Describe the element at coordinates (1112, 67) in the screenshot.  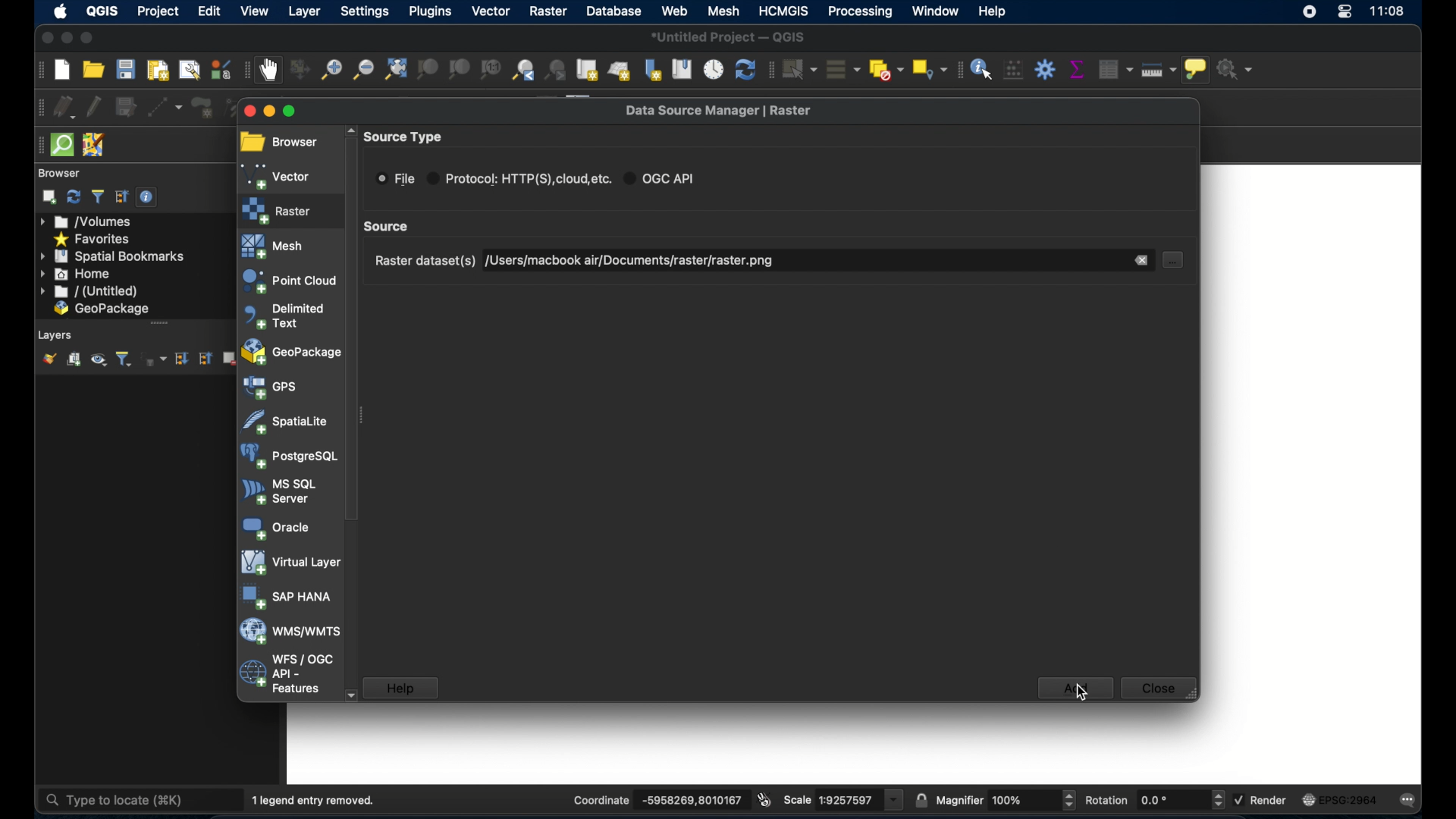
I see `open attribute table` at that location.